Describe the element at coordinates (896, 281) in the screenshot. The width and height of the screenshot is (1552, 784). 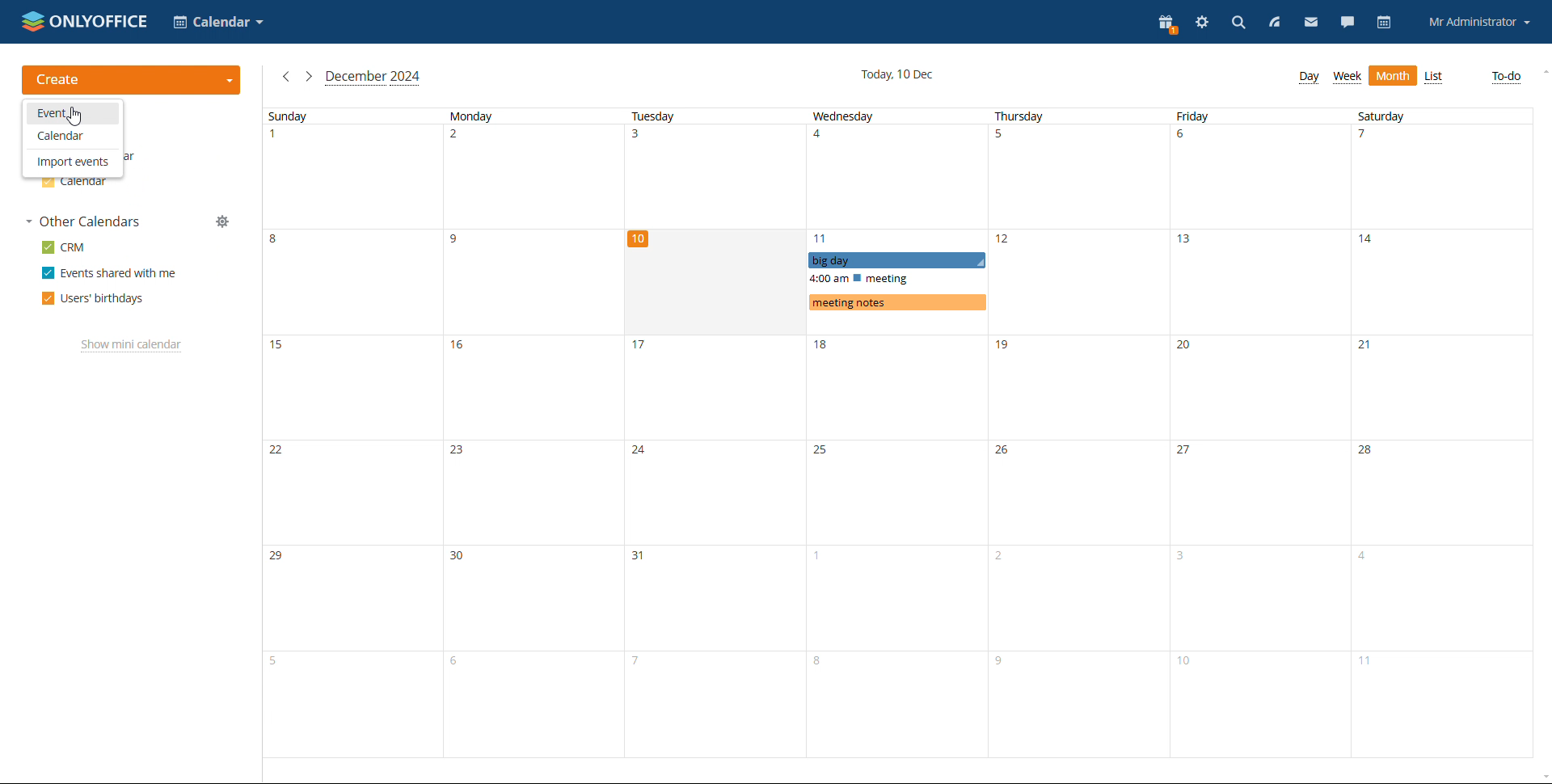
I see `events` at that location.